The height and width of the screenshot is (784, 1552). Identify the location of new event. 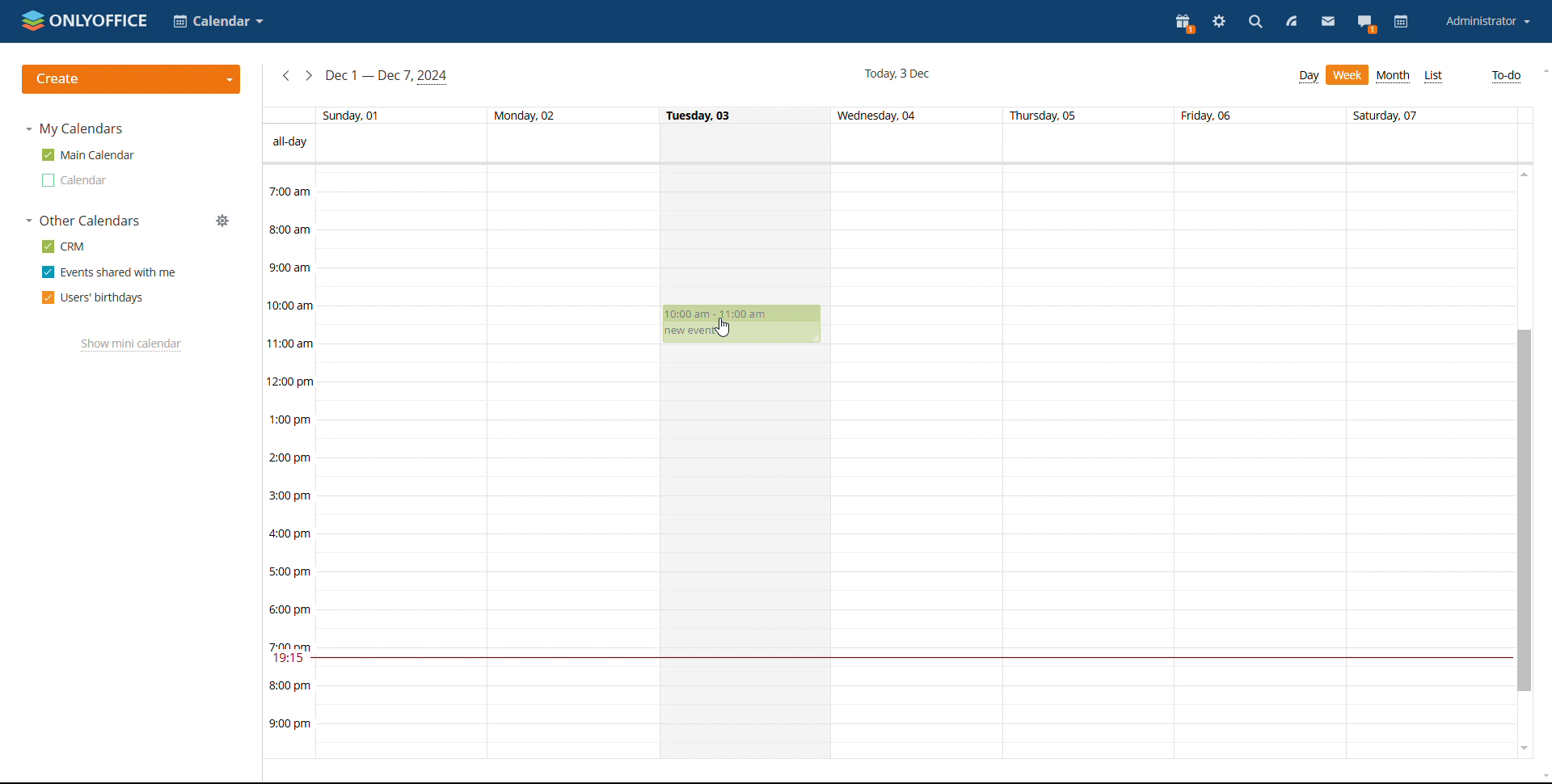
(689, 332).